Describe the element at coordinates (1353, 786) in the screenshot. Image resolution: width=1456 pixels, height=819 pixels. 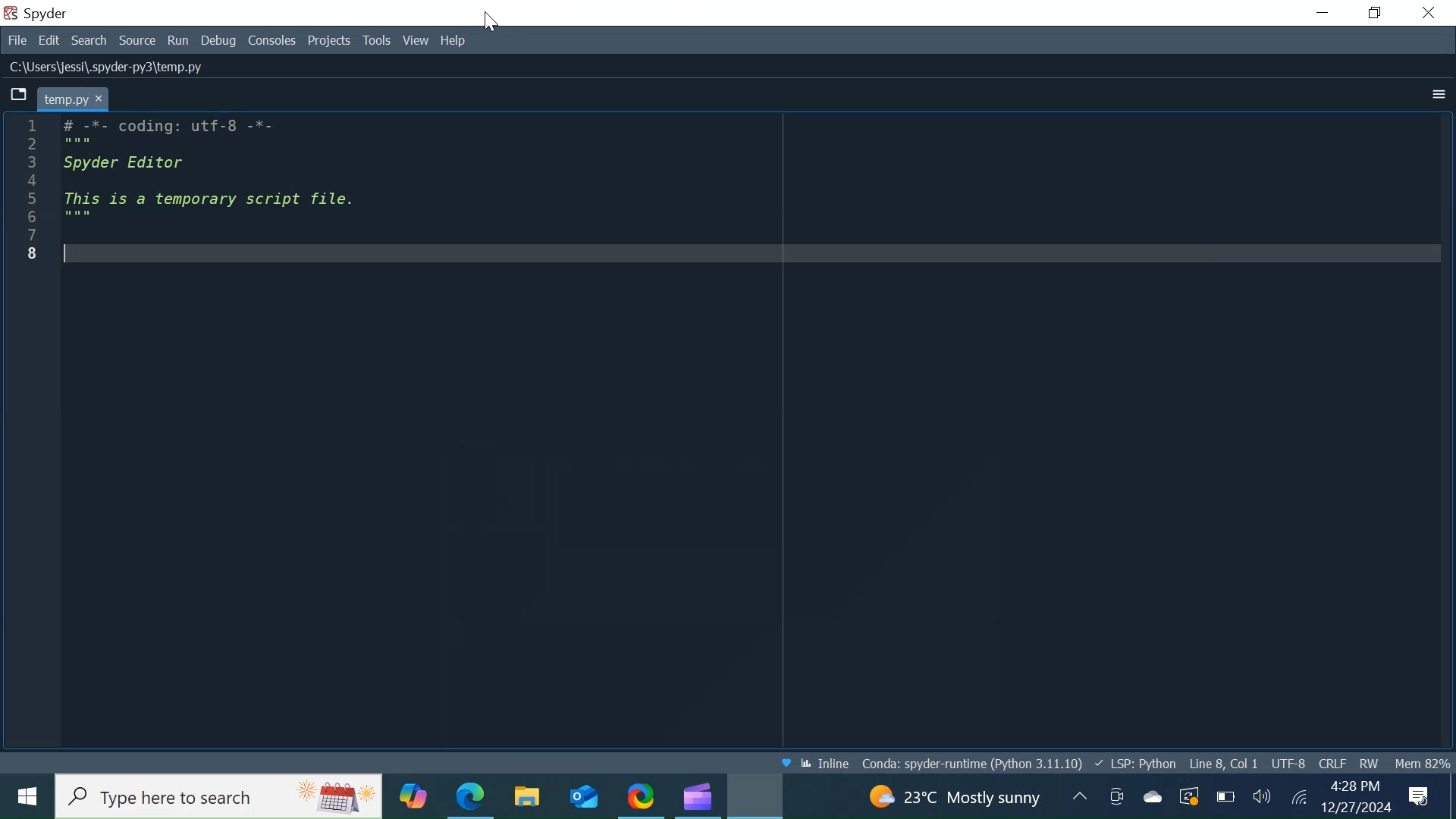
I see `Time` at that location.